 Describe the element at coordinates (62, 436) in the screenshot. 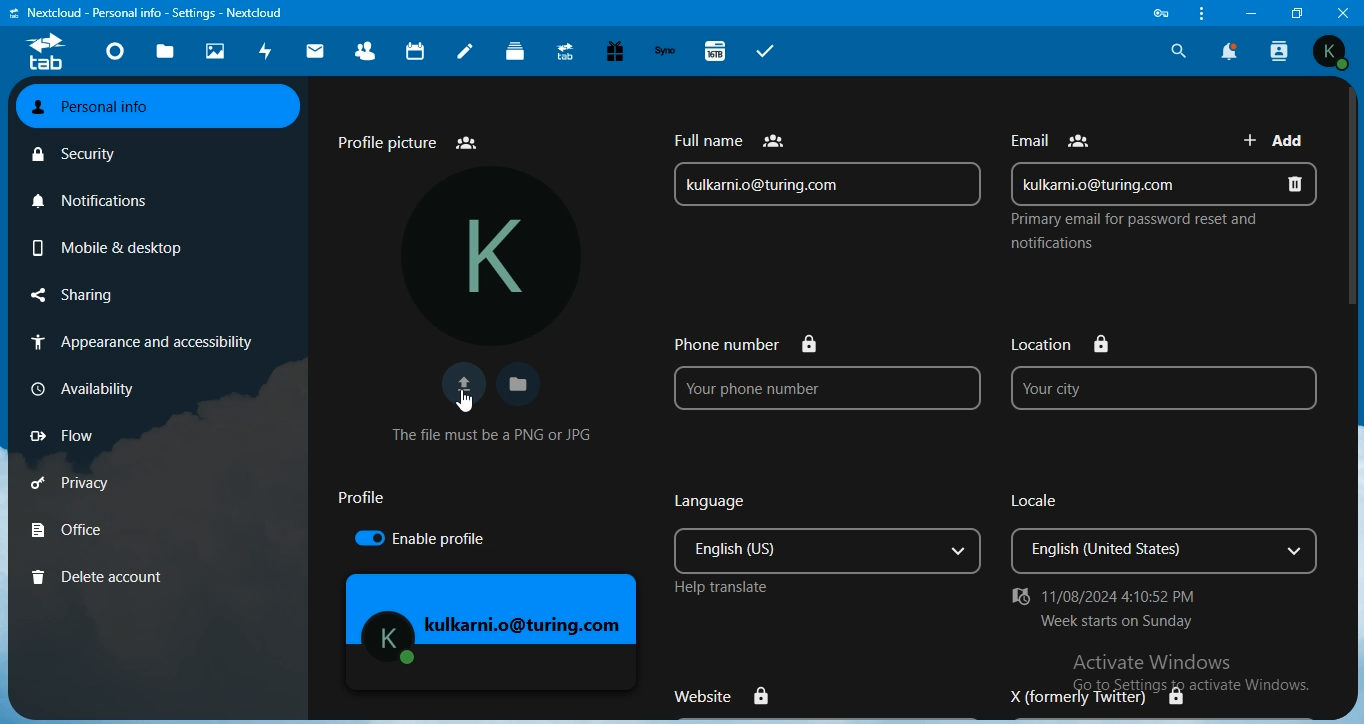

I see `flow` at that location.